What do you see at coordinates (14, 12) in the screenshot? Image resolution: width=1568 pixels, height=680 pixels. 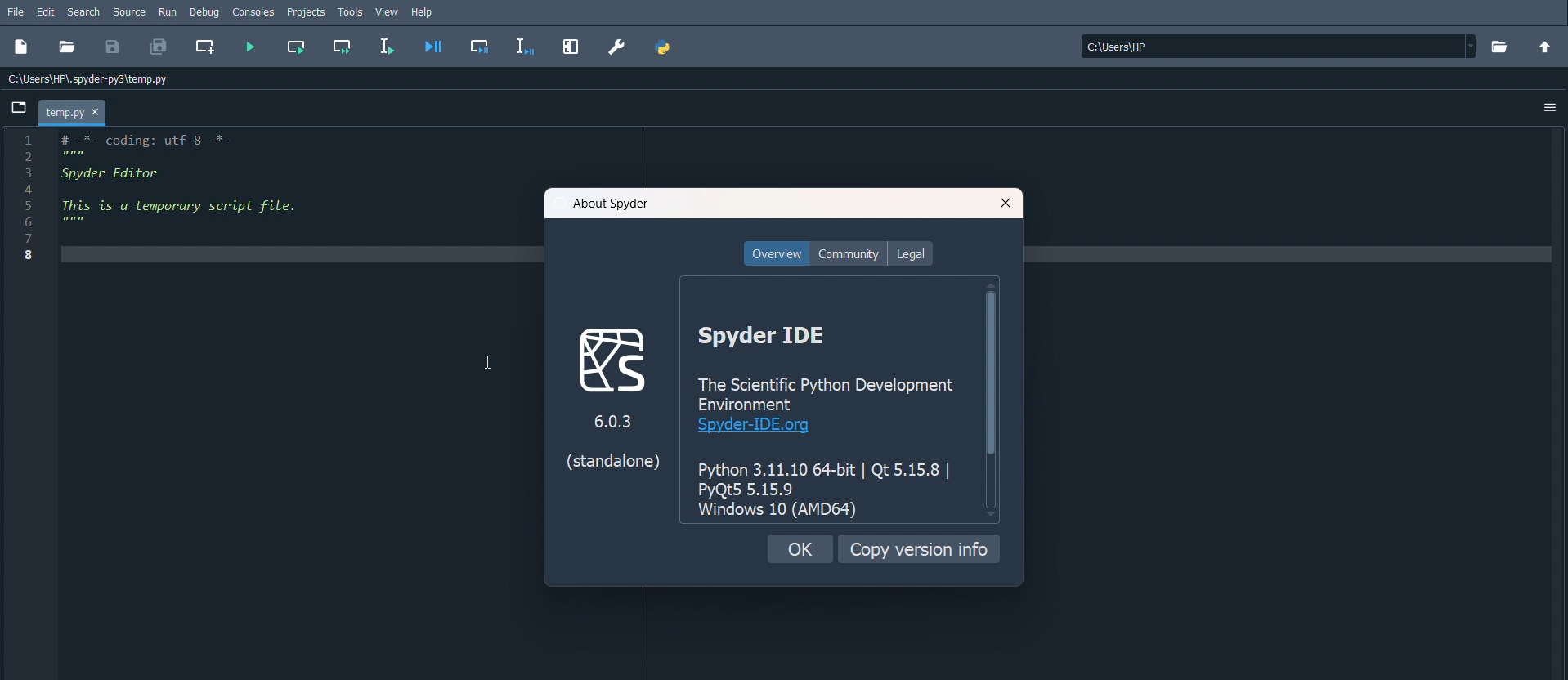 I see `File` at bounding box center [14, 12].